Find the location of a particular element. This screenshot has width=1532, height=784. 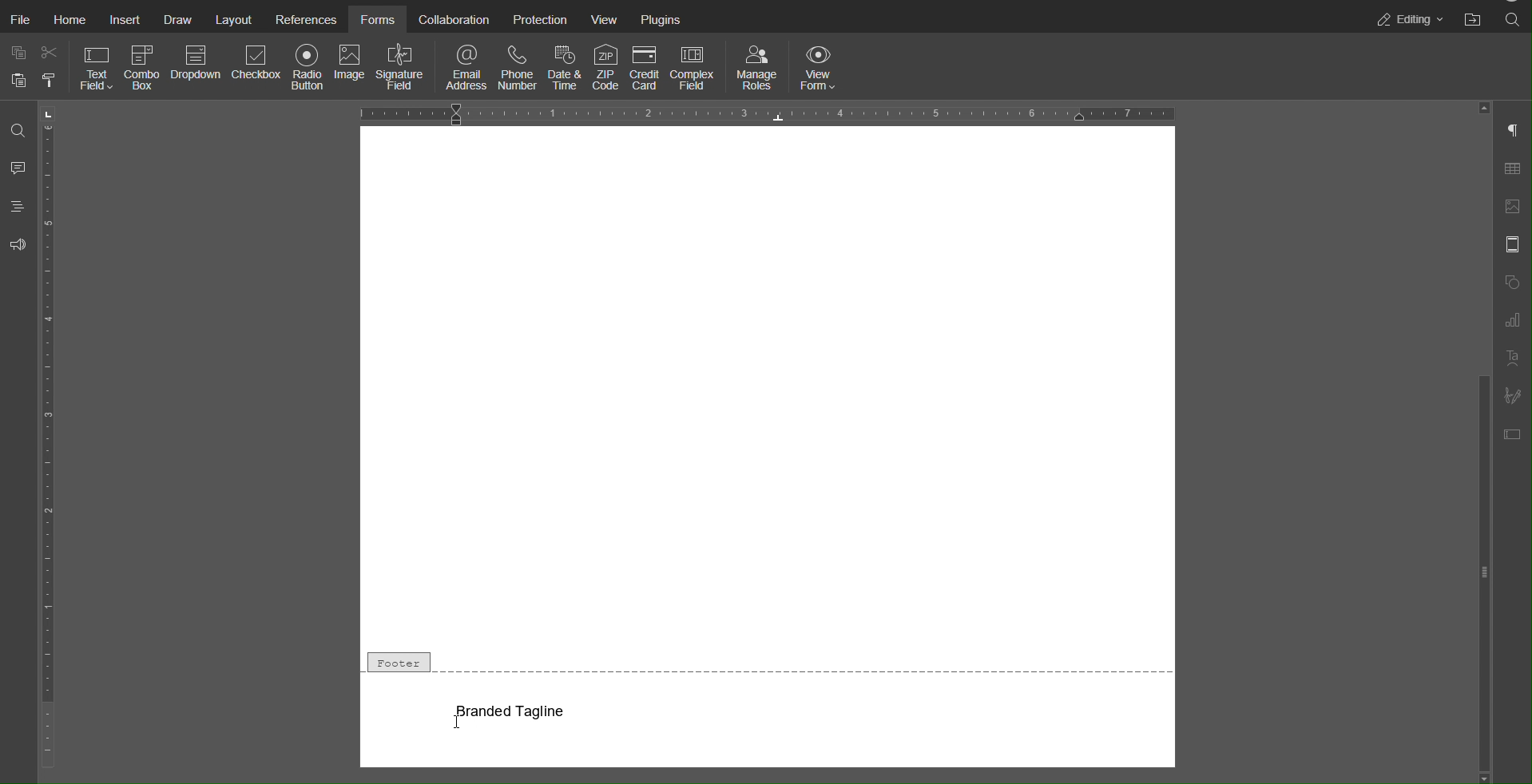

Draw is located at coordinates (183, 18).